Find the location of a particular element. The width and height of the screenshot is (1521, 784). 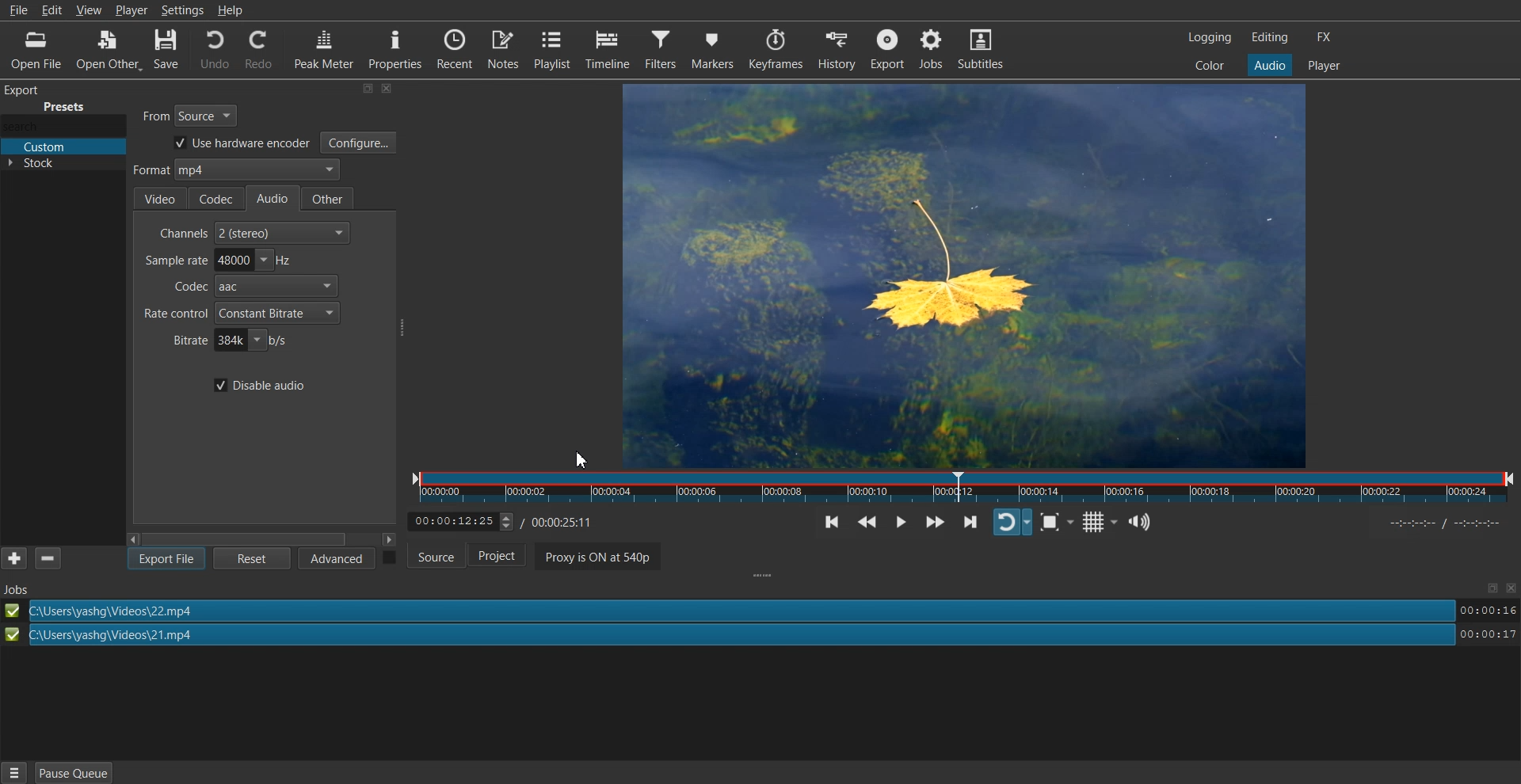

Minimize is located at coordinates (368, 88).